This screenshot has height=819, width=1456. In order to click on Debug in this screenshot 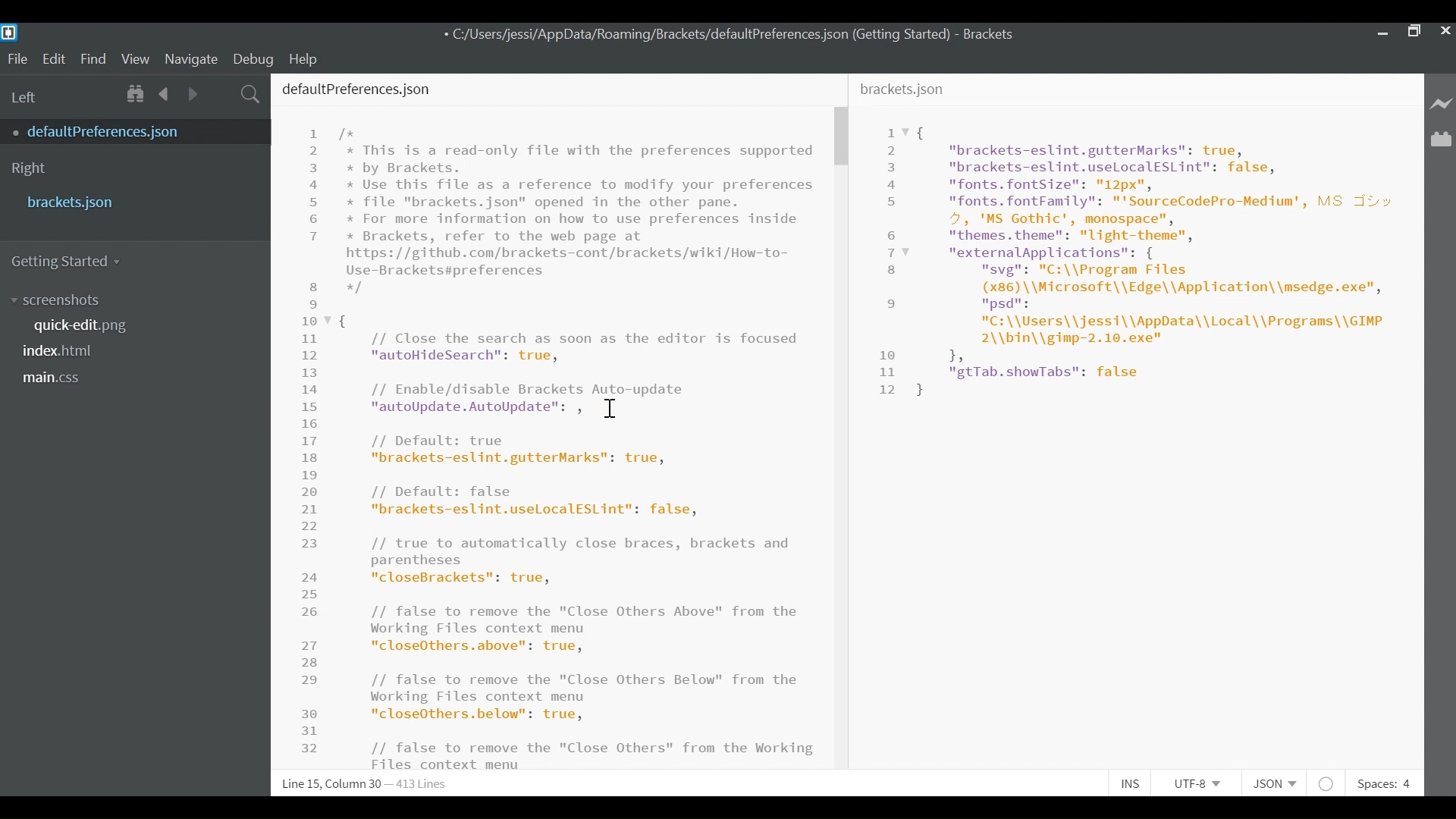, I will do `click(256, 58)`.